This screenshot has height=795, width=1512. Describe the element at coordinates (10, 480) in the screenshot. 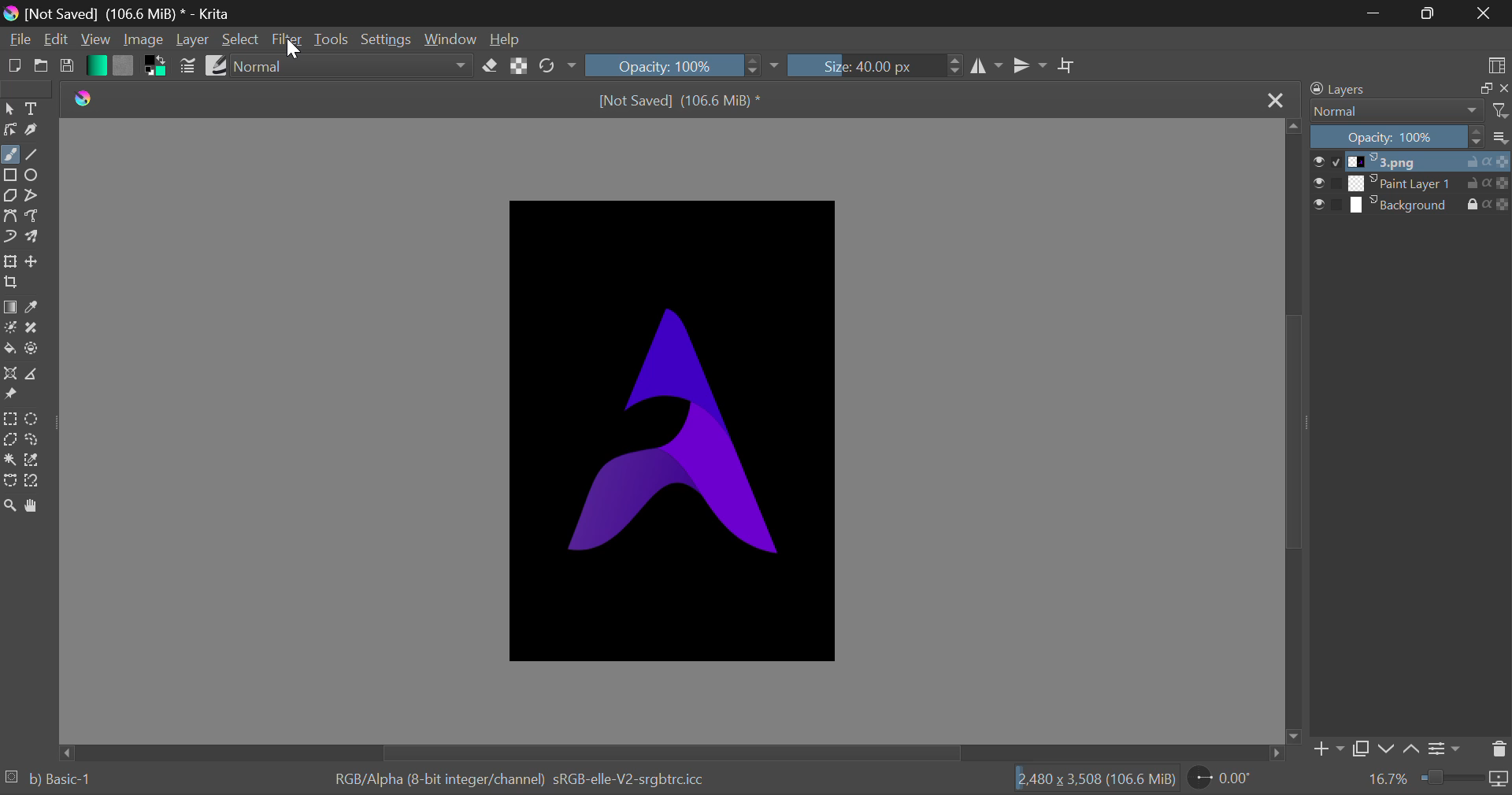

I see `Bezier Curve Selection` at that location.